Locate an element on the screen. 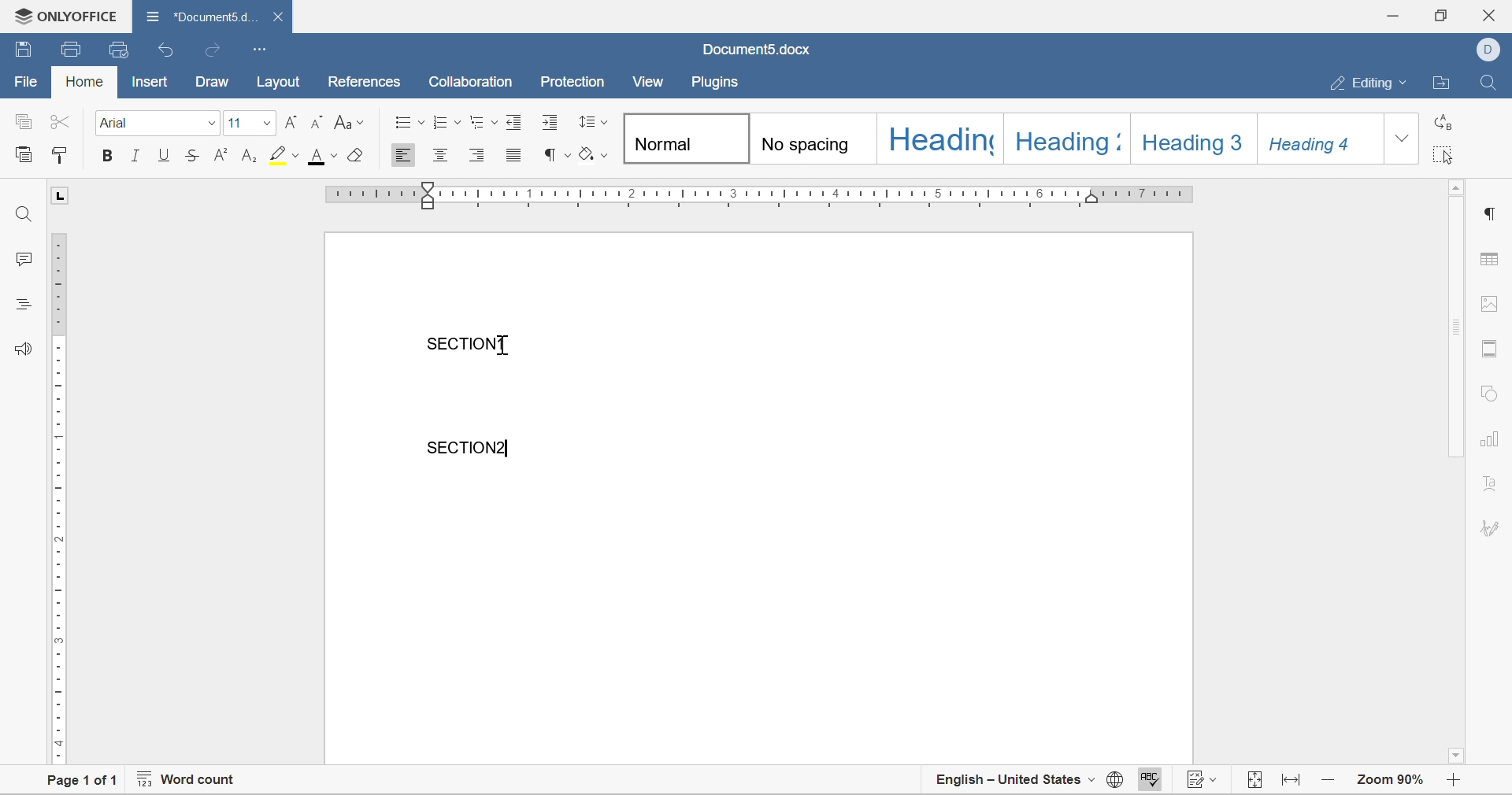 The height and width of the screenshot is (795, 1512). numbering is located at coordinates (447, 121).